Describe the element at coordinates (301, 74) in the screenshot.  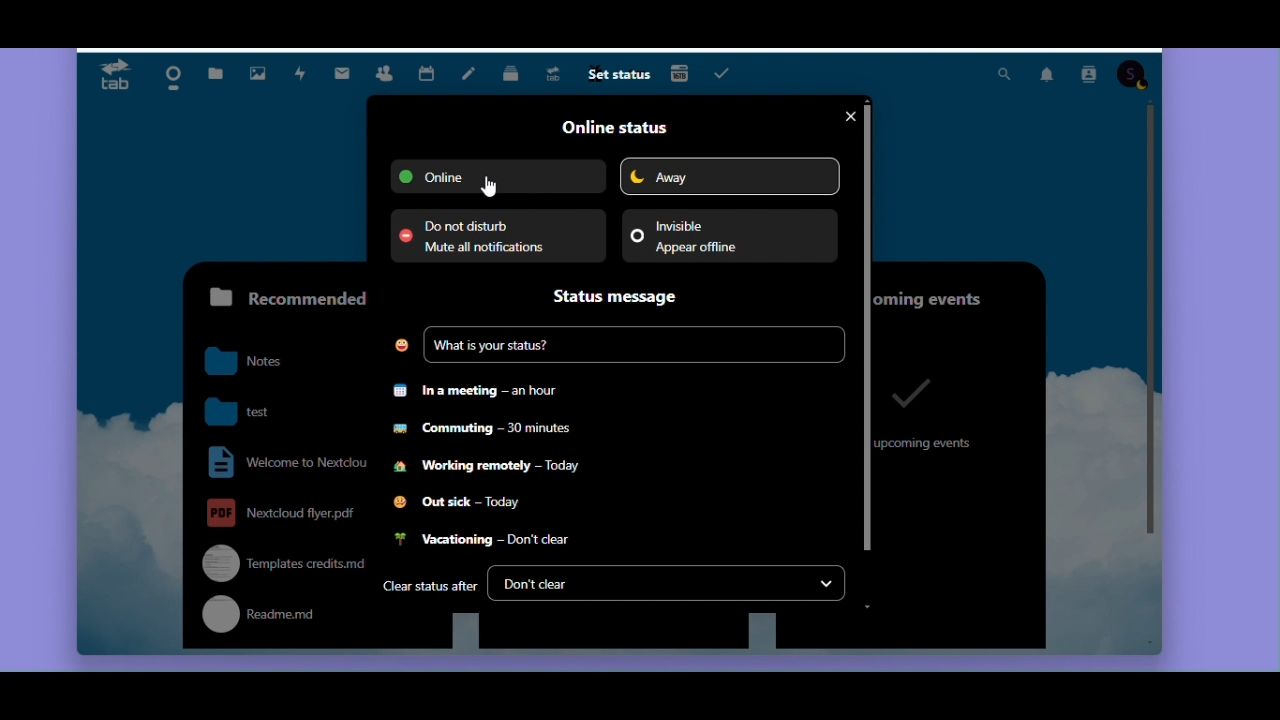
I see `Activity` at that location.